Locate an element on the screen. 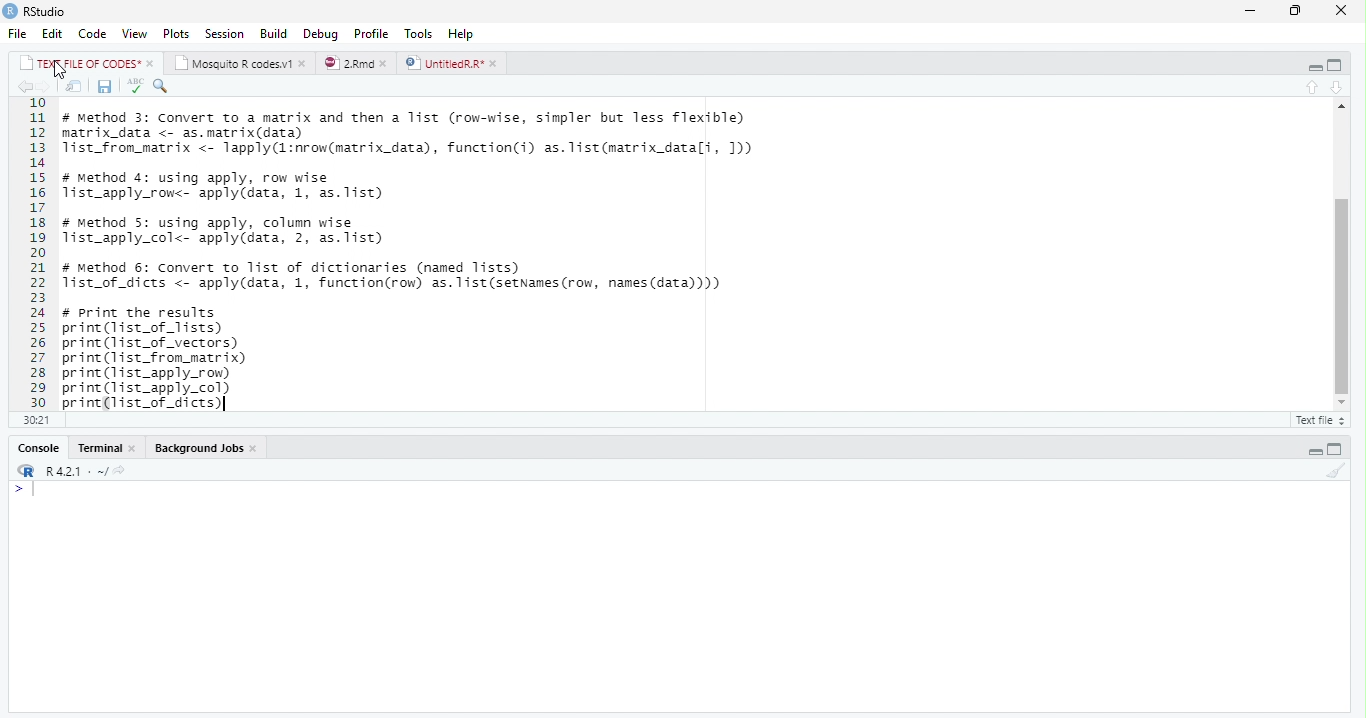 The image size is (1366, 718). Code is located at coordinates (93, 33).